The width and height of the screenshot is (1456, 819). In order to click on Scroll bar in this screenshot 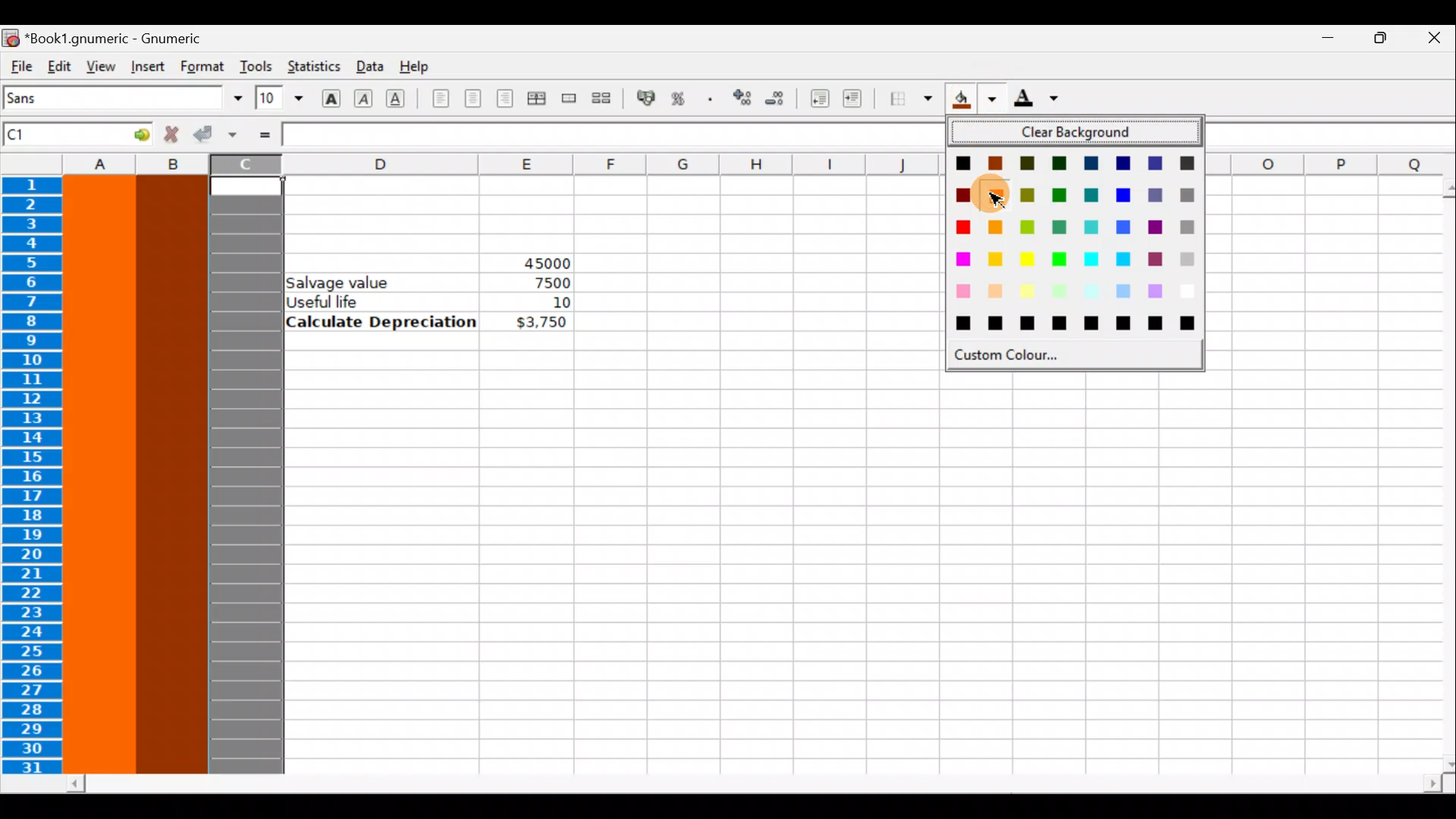, I will do `click(755, 784)`.